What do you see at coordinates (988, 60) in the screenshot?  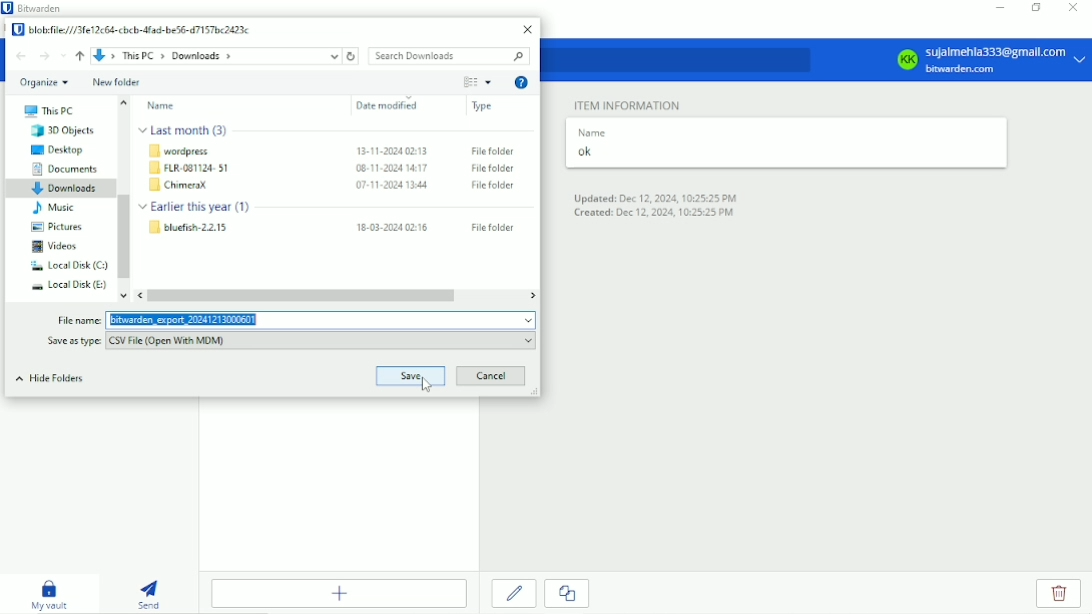 I see `KK sujalmehla333@gmail.com       bitwarden.com` at bounding box center [988, 60].